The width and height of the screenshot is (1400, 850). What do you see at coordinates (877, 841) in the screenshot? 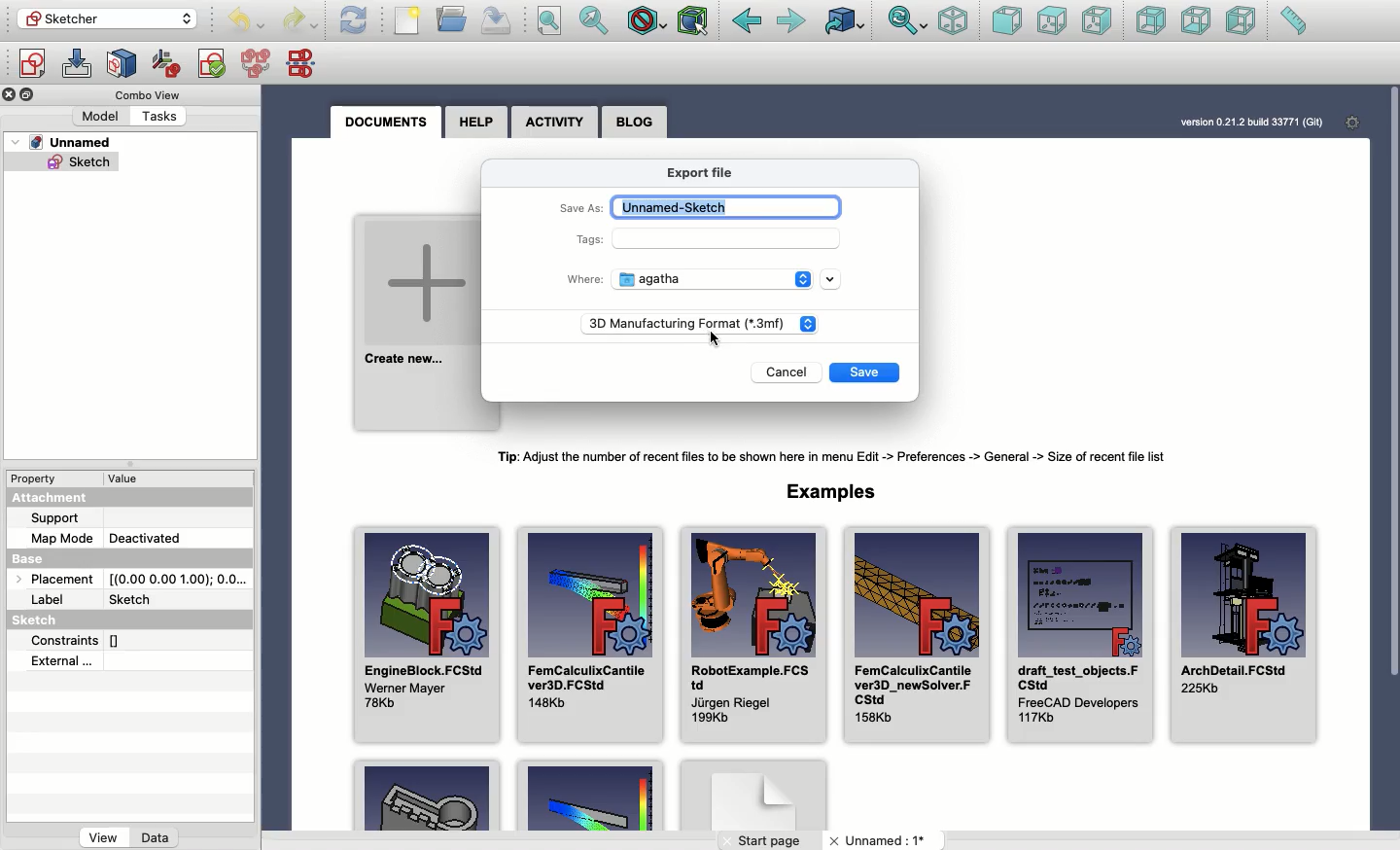
I see `Unnamed: 1*` at bounding box center [877, 841].